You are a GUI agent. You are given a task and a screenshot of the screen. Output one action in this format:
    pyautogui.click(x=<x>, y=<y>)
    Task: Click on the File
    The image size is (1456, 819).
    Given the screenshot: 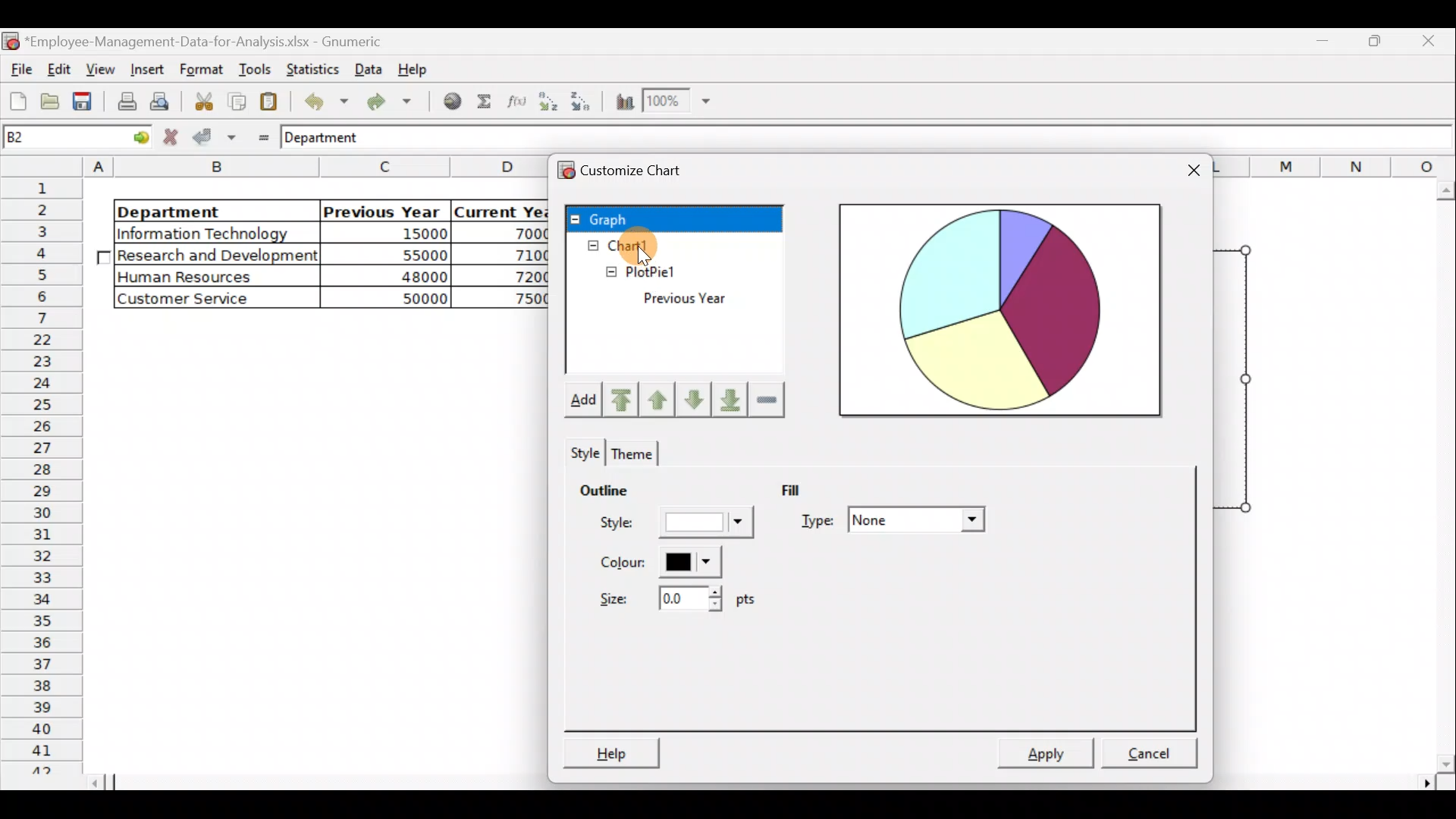 What is the action you would take?
    pyautogui.click(x=19, y=65)
    